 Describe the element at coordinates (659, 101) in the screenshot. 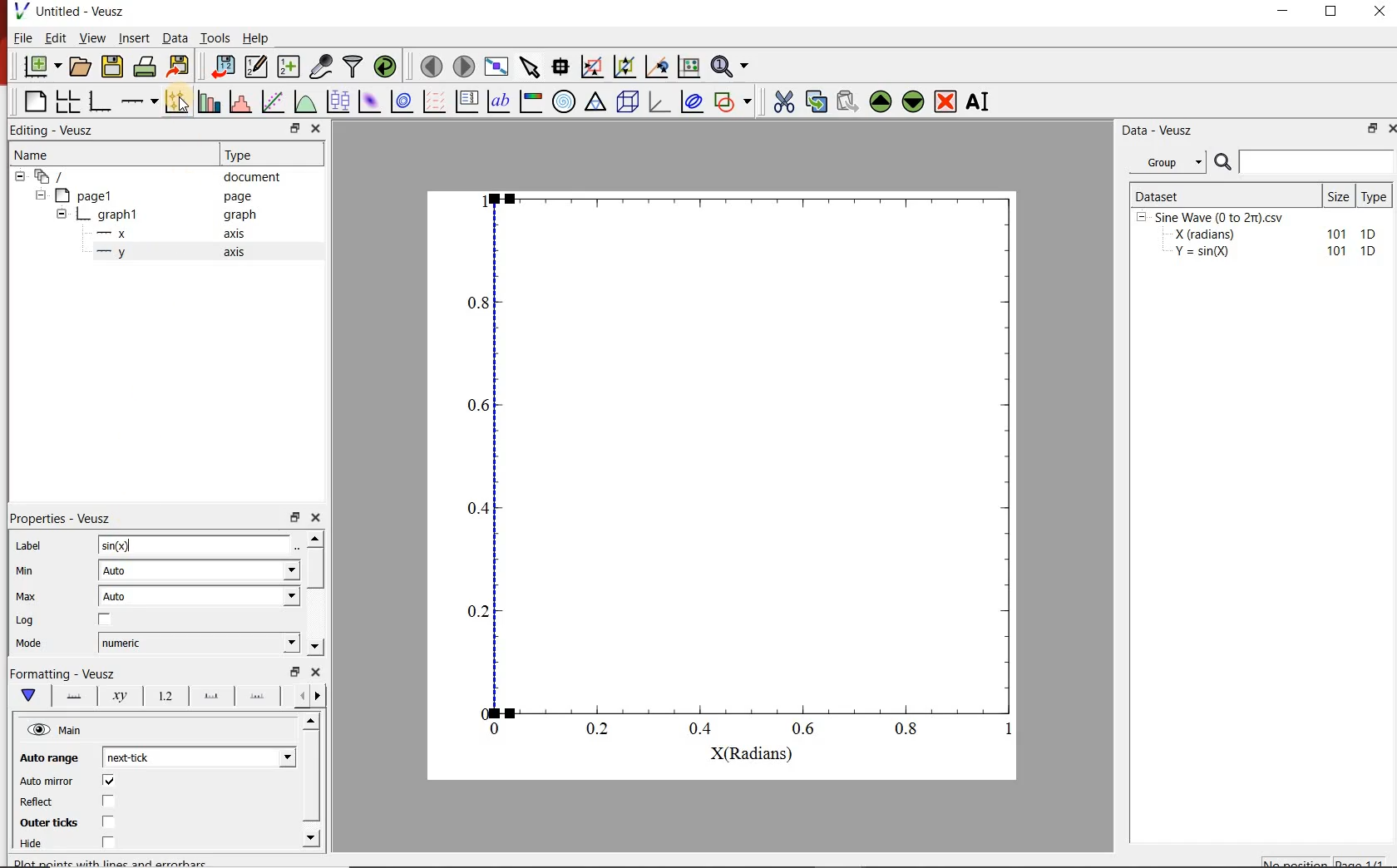

I see `3d graph` at that location.